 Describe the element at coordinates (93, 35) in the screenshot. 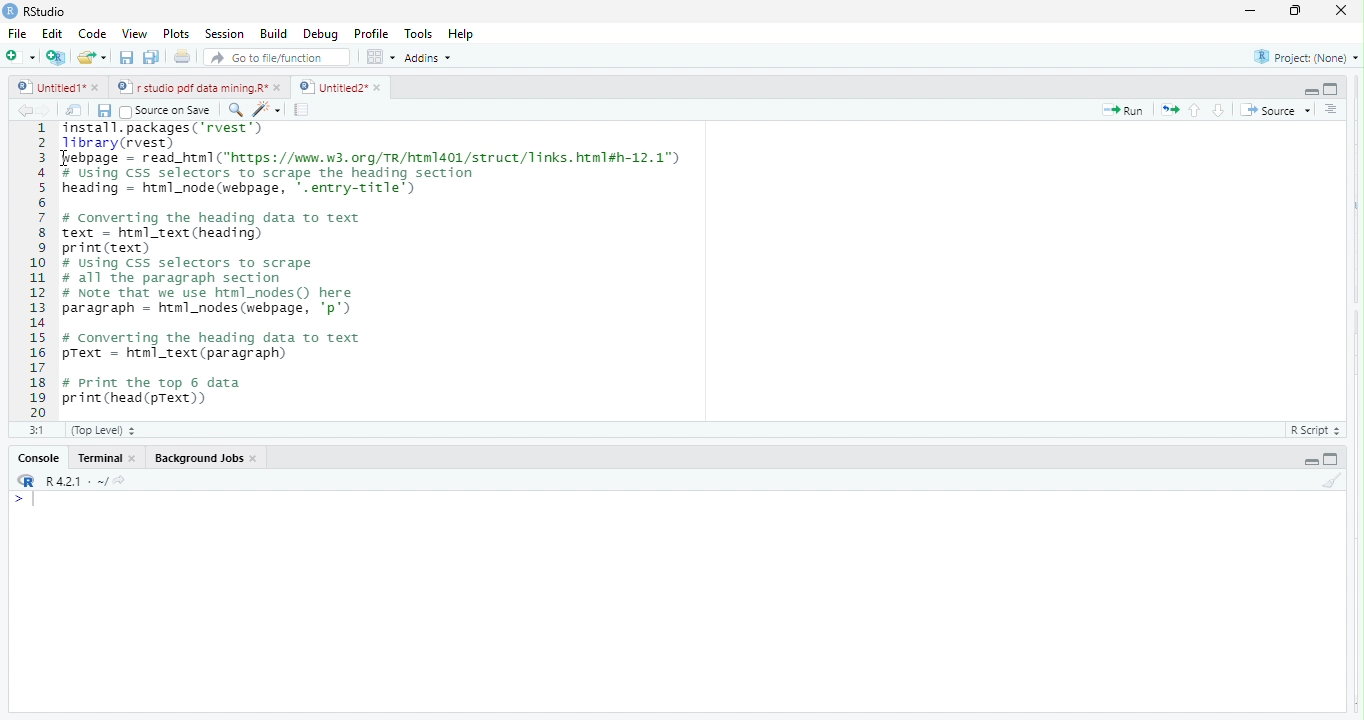

I see `code` at that location.